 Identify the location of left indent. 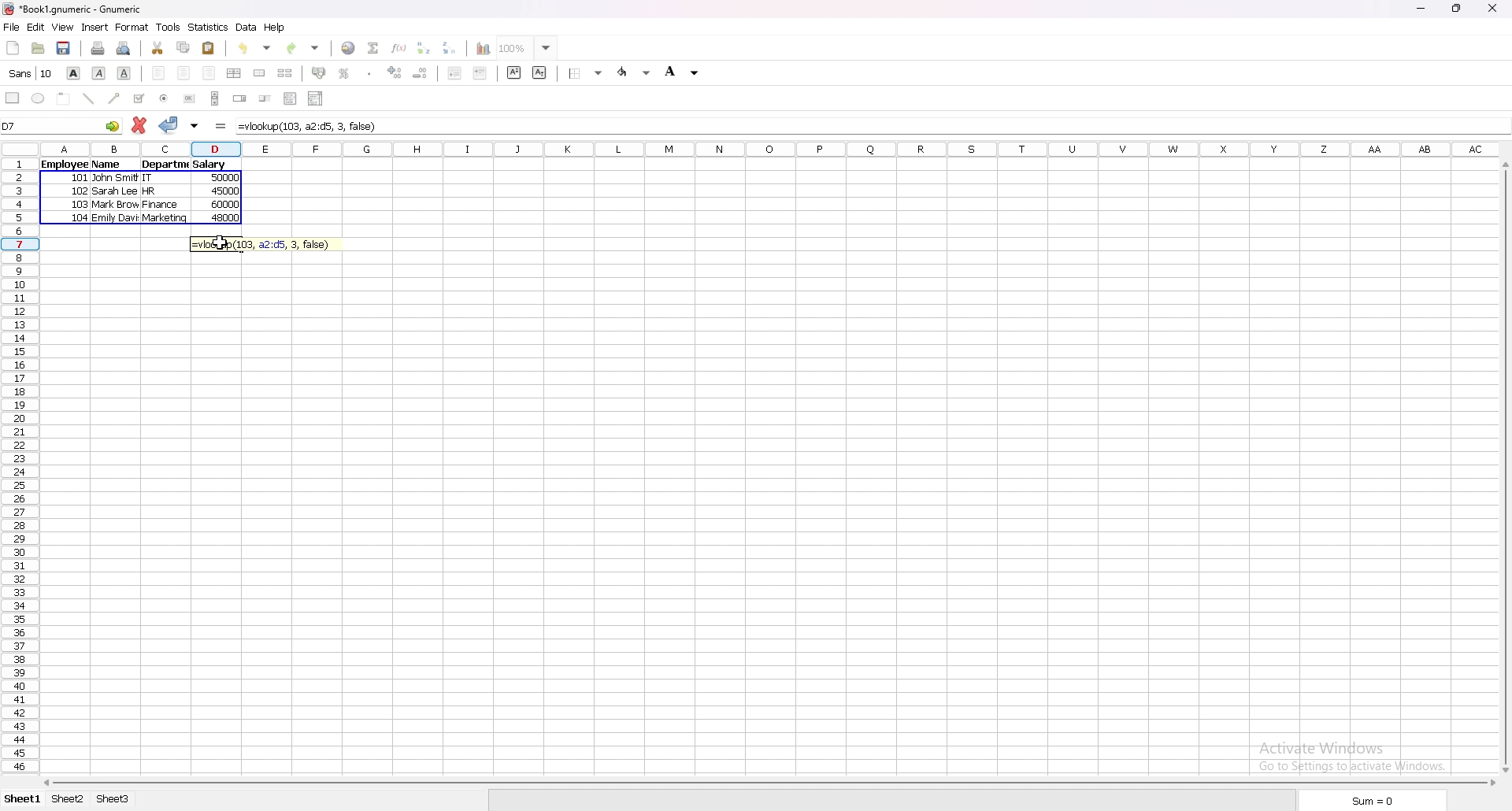
(160, 73).